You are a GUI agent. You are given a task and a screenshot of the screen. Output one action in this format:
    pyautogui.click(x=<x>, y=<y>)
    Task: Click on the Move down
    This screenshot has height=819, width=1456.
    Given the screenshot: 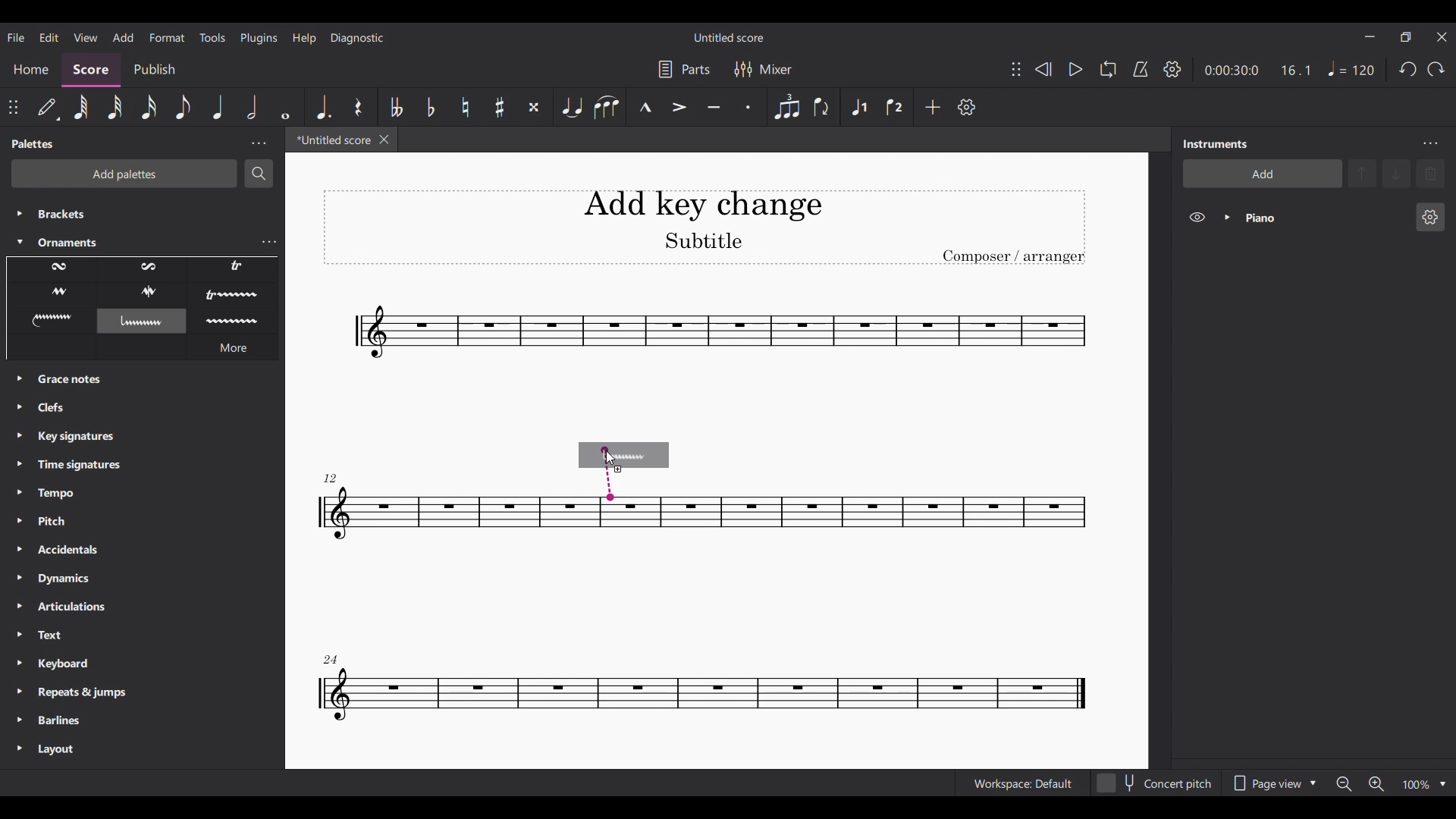 What is the action you would take?
    pyautogui.click(x=1396, y=174)
    